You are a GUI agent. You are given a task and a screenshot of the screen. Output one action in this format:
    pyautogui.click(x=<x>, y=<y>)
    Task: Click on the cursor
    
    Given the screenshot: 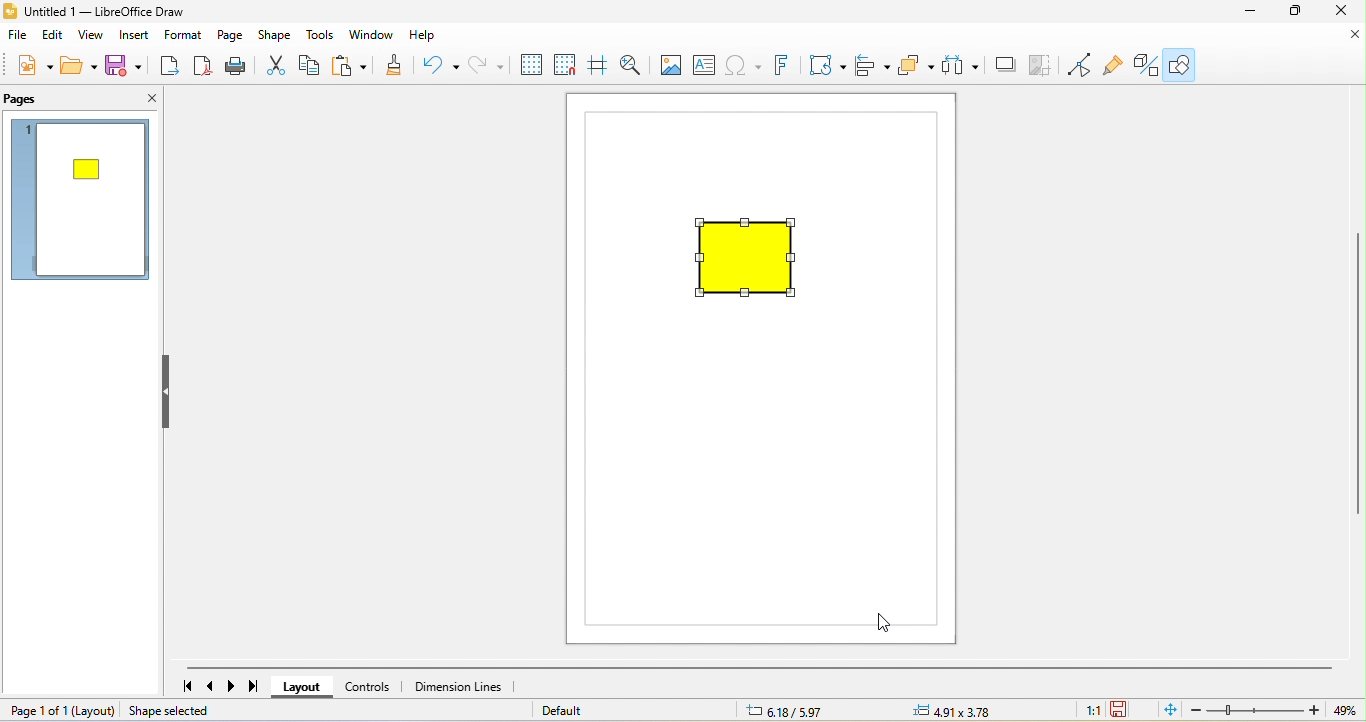 What is the action you would take?
    pyautogui.click(x=881, y=623)
    